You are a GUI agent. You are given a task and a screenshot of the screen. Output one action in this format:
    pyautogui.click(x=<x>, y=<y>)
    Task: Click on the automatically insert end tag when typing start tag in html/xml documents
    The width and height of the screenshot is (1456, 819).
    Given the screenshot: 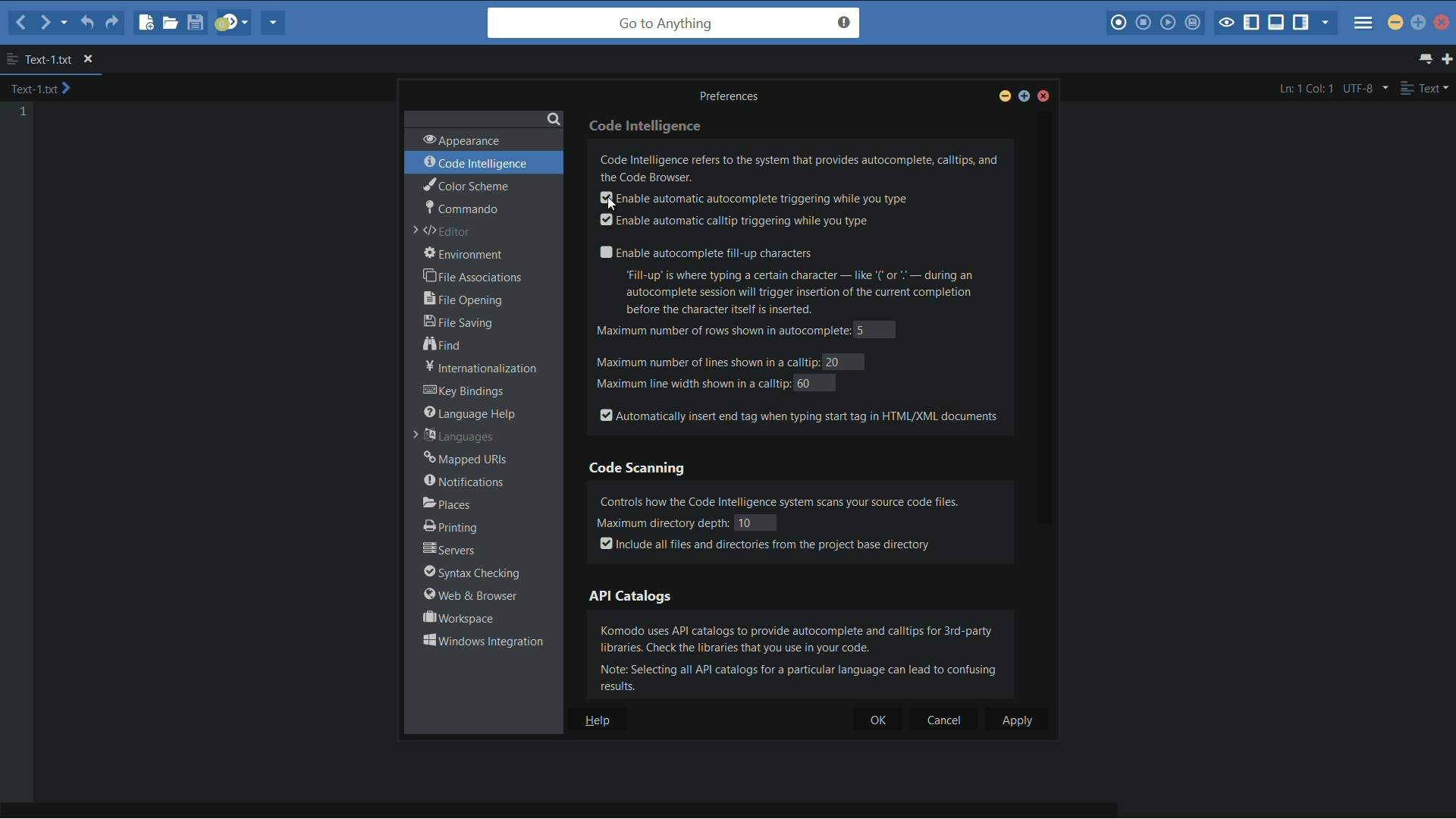 What is the action you would take?
    pyautogui.click(x=799, y=415)
    